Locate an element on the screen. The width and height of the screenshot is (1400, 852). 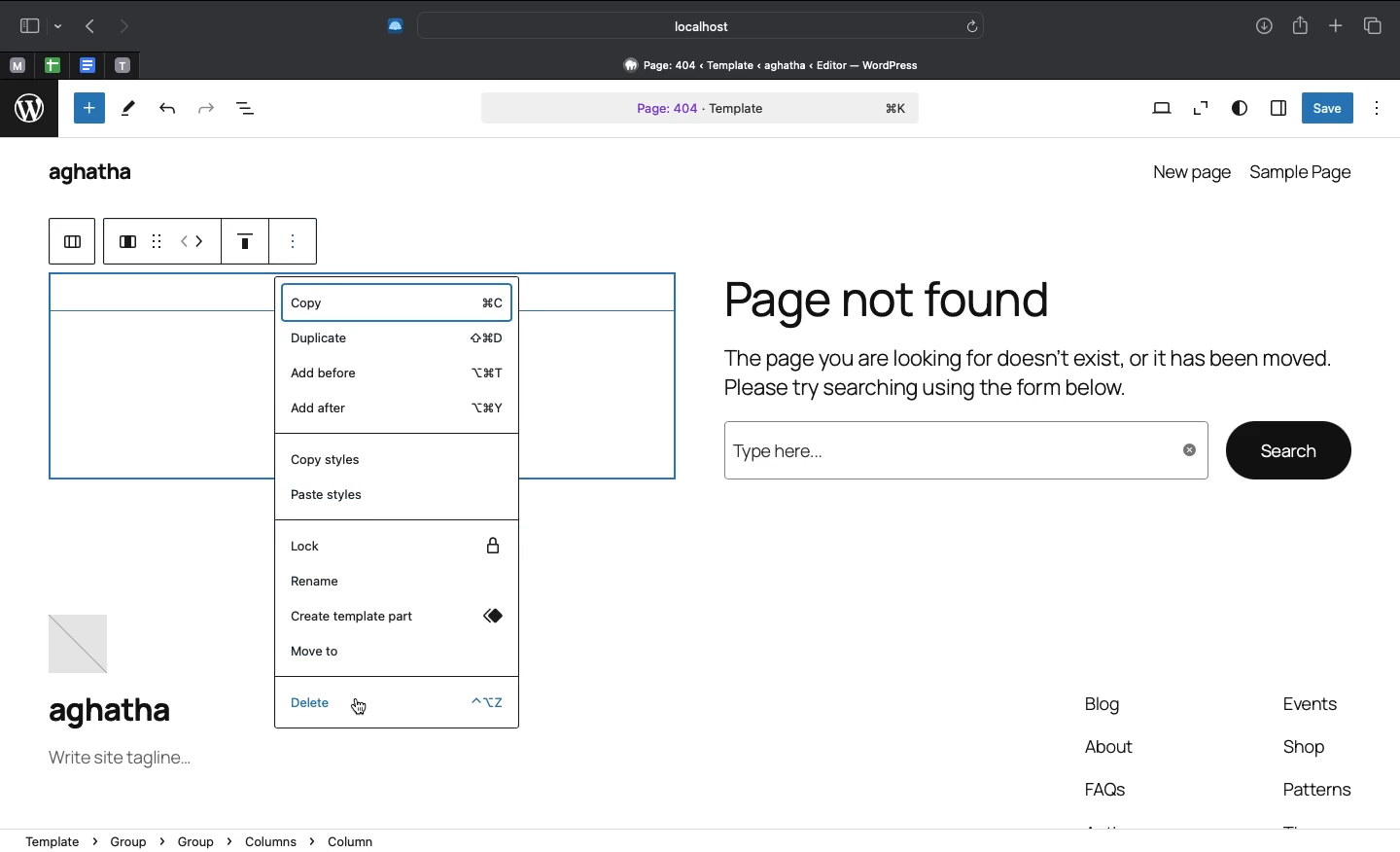
Shop is located at coordinates (1307, 747).